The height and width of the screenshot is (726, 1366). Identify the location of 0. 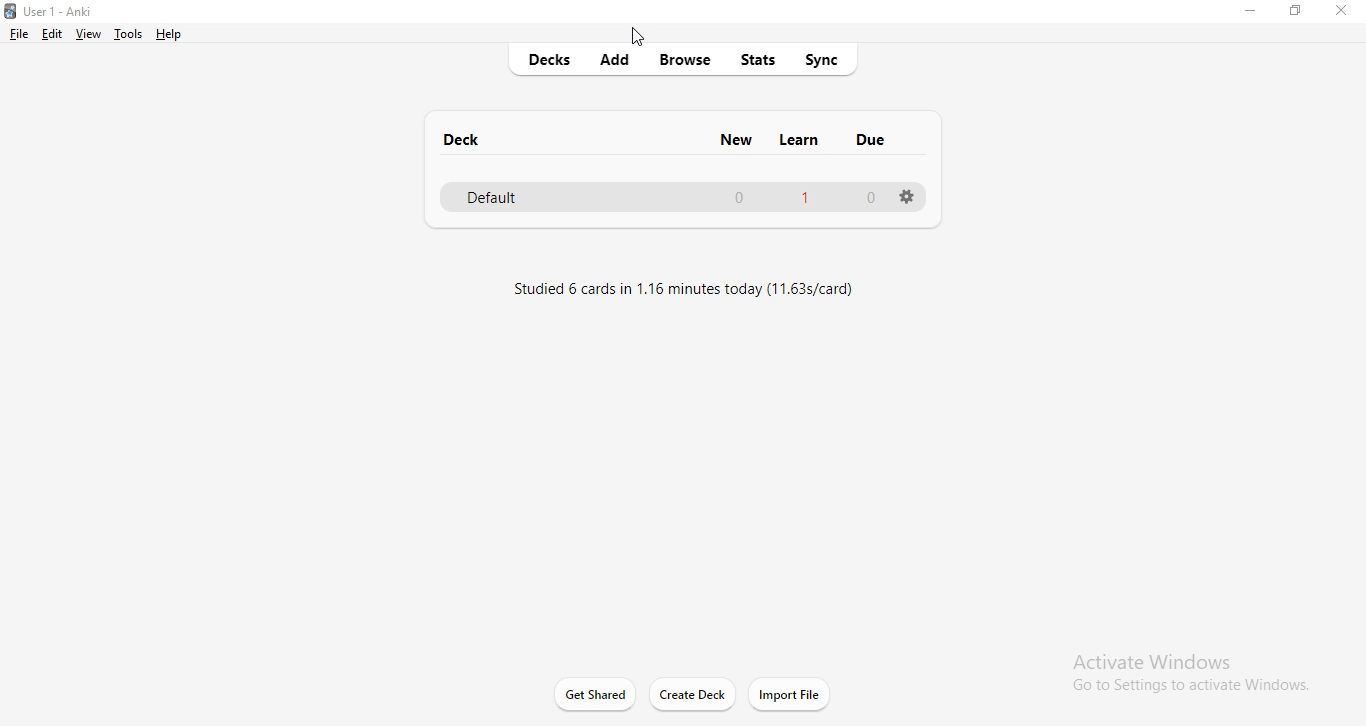
(867, 198).